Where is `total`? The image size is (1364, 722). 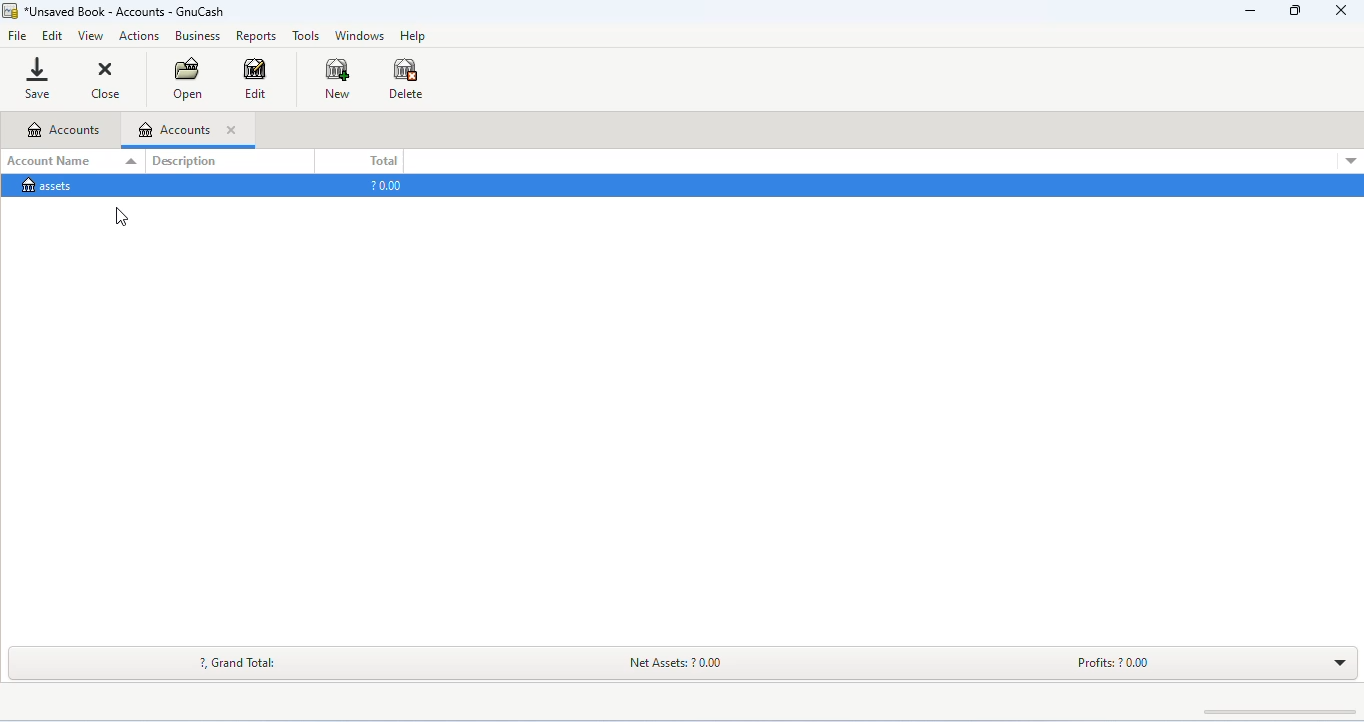
total is located at coordinates (382, 161).